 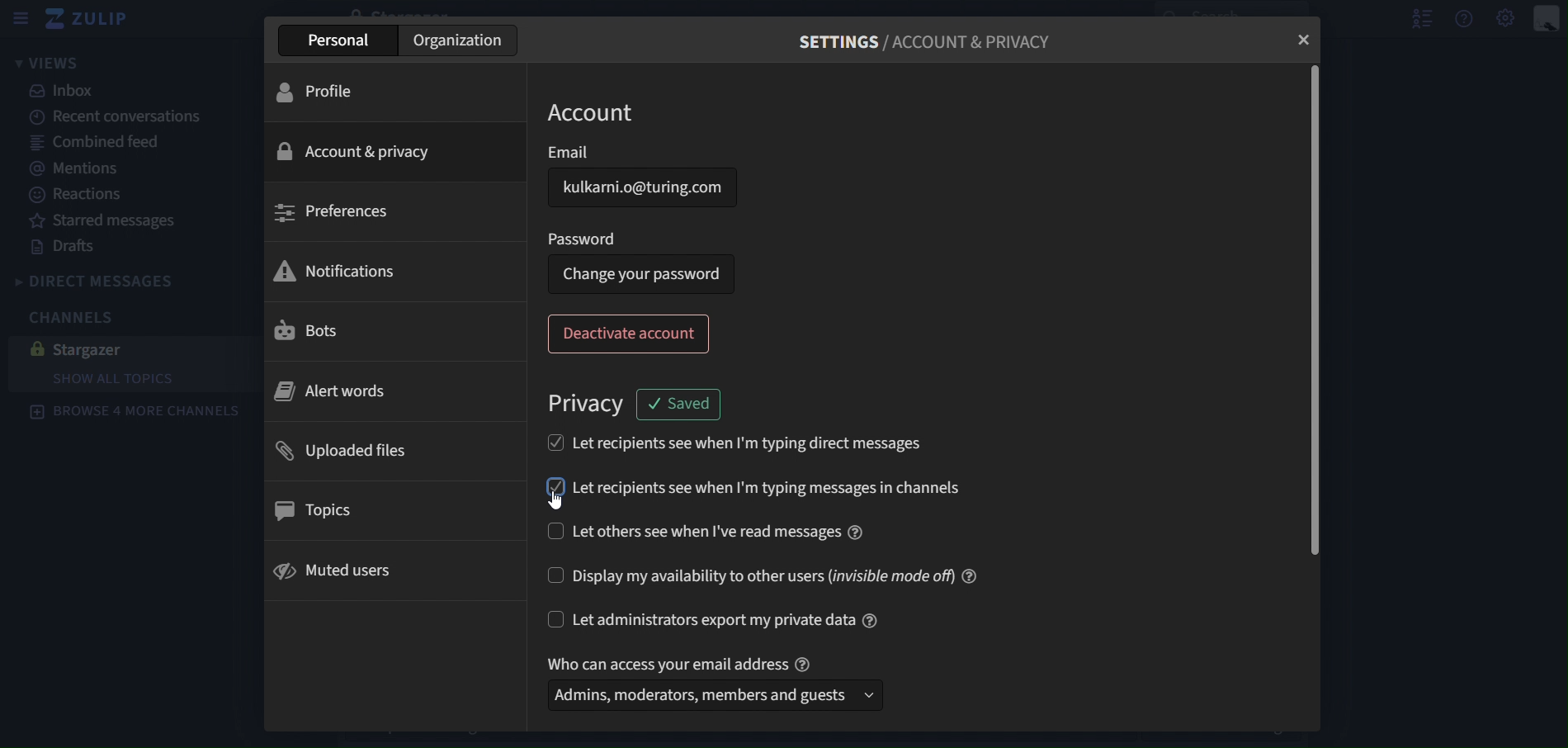 I want to click on inbox, so click(x=65, y=93).